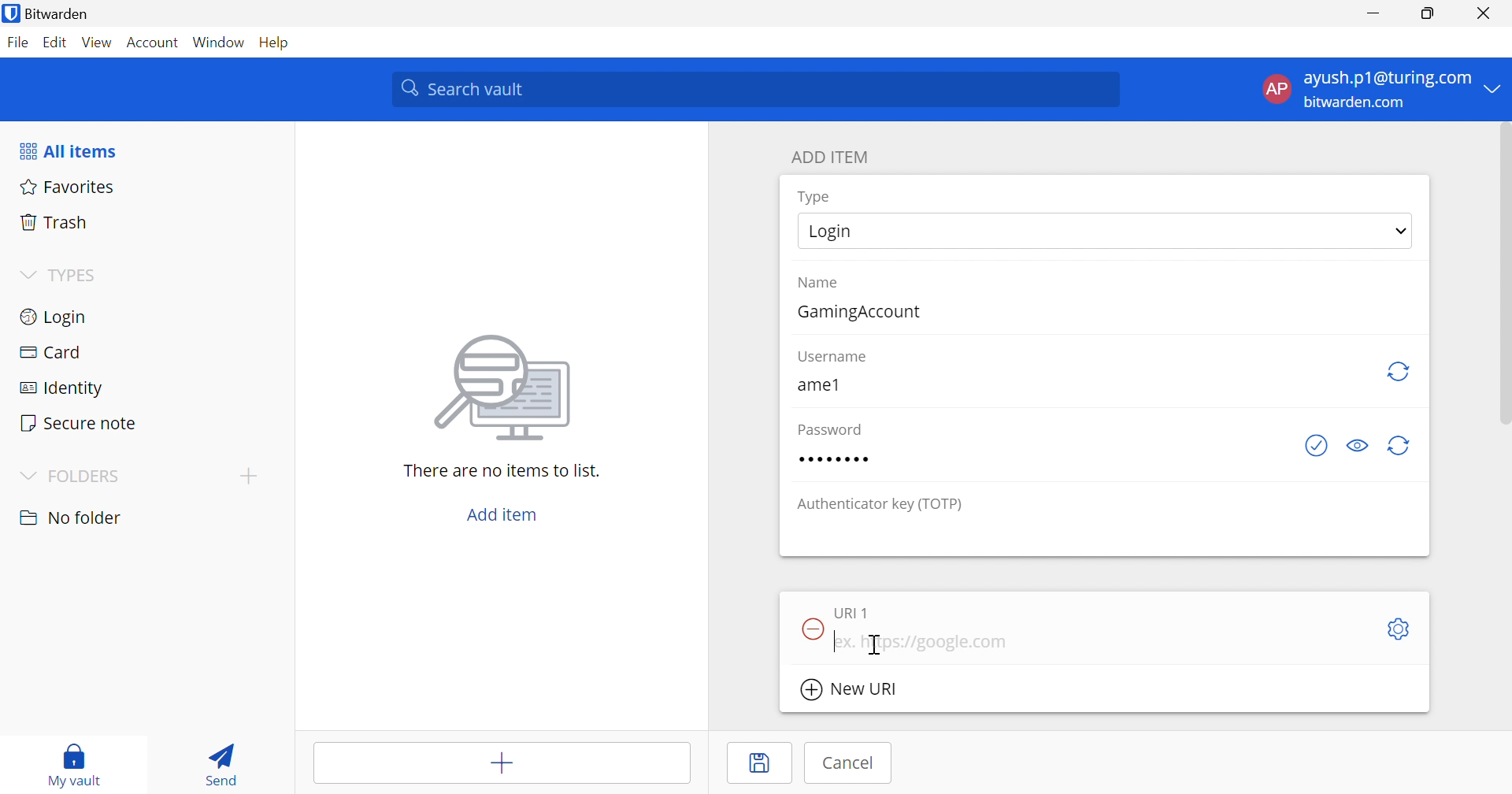 Image resolution: width=1512 pixels, height=794 pixels. I want to click on Add item, so click(498, 514).